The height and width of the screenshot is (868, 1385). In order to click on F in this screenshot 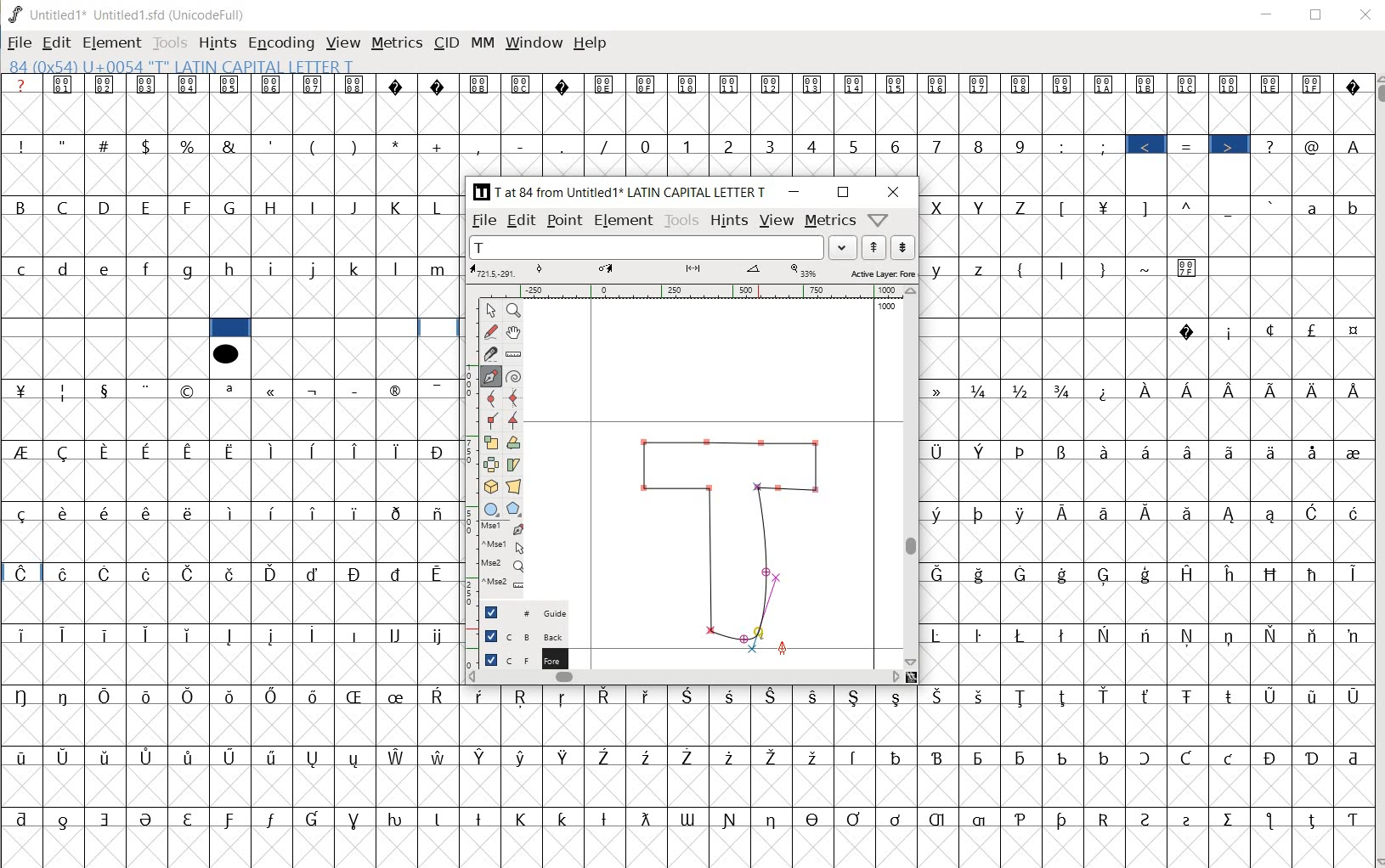, I will do `click(189, 207)`.